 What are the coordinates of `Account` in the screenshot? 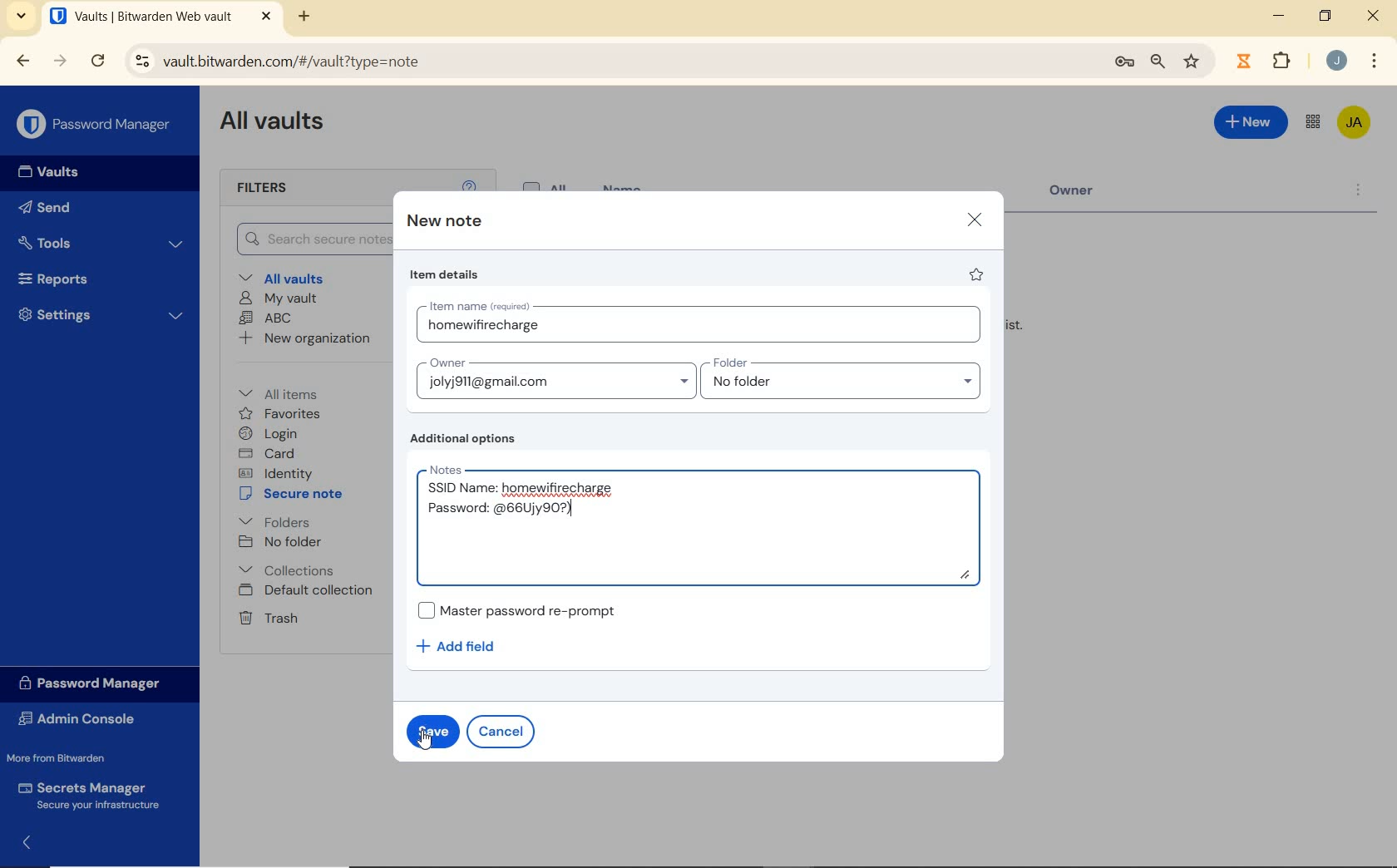 It's located at (1335, 60).